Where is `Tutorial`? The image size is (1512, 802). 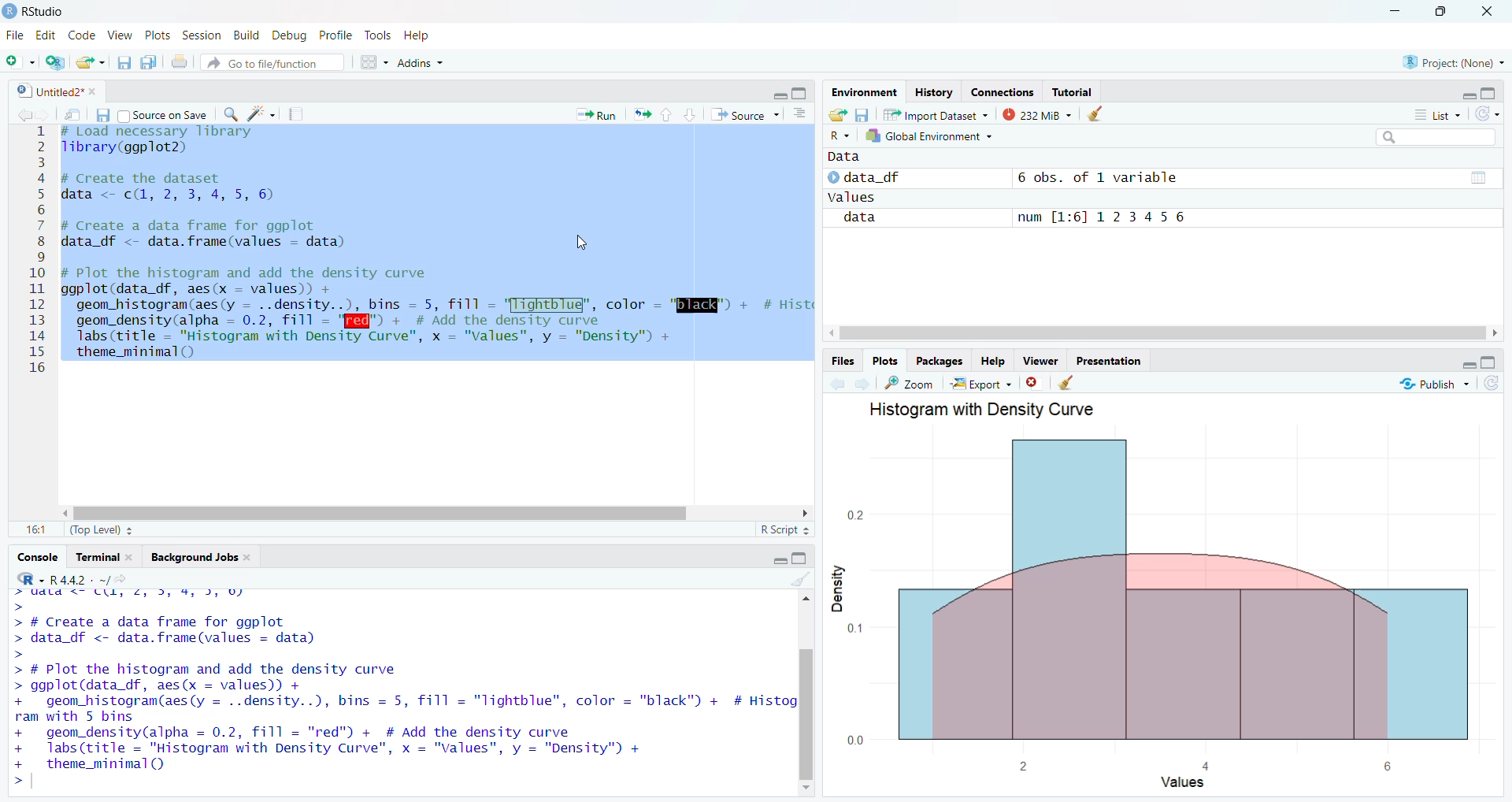
Tutorial is located at coordinates (1073, 91).